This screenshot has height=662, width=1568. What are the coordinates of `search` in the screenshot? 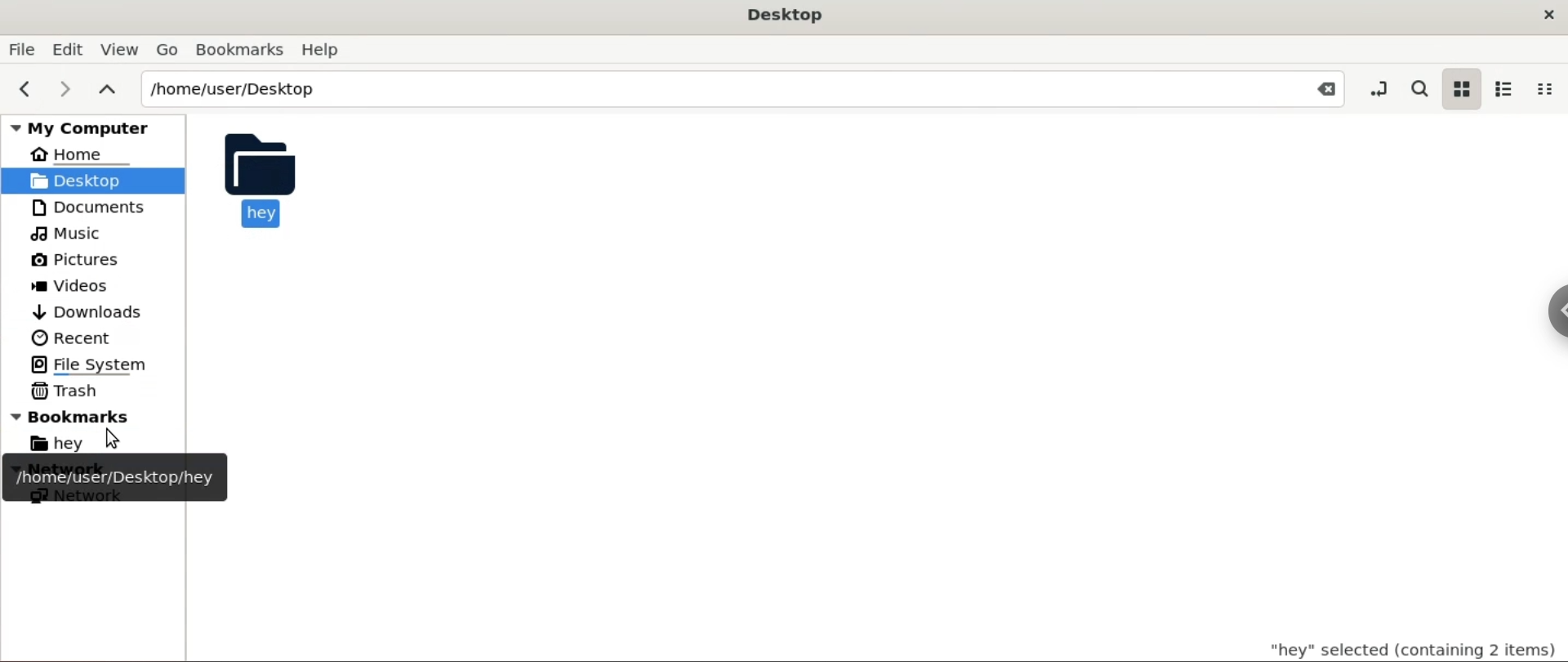 It's located at (1419, 88).